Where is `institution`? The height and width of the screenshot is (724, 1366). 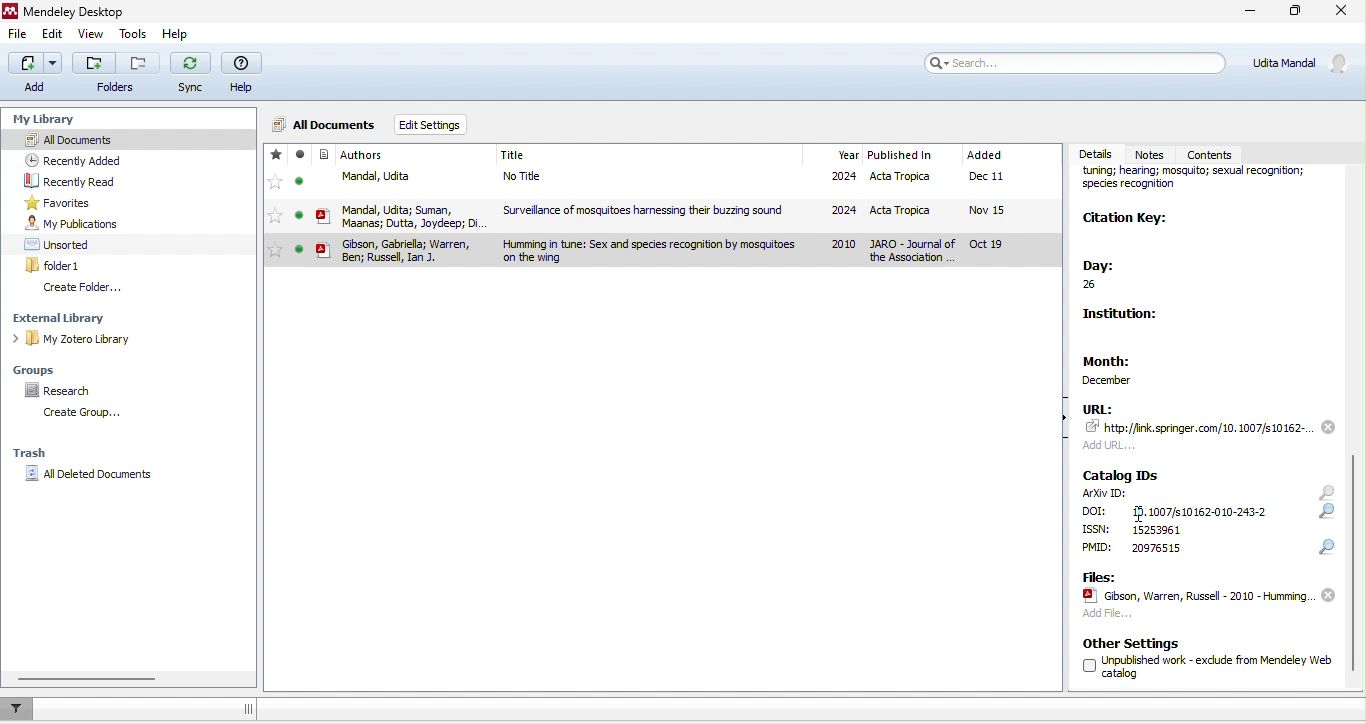 institution is located at coordinates (1127, 318).